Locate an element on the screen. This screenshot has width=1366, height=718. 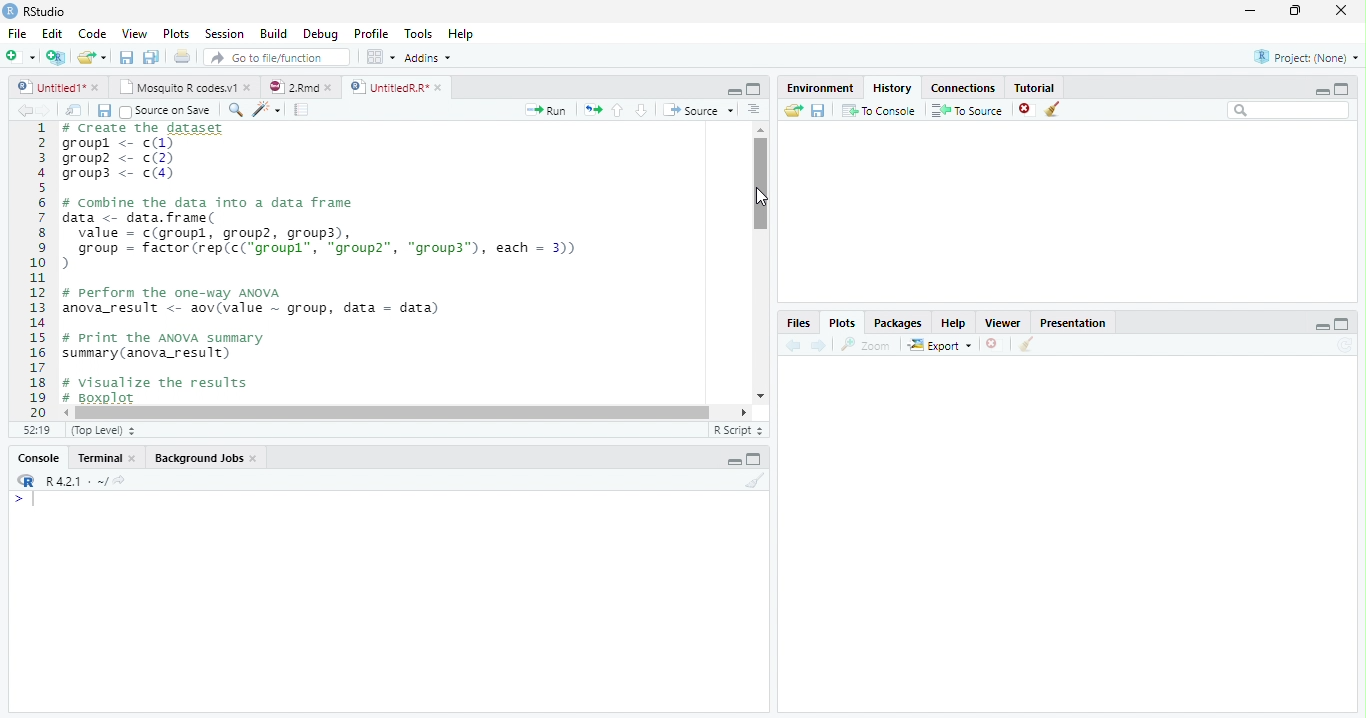
> is located at coordinates (14, 500).